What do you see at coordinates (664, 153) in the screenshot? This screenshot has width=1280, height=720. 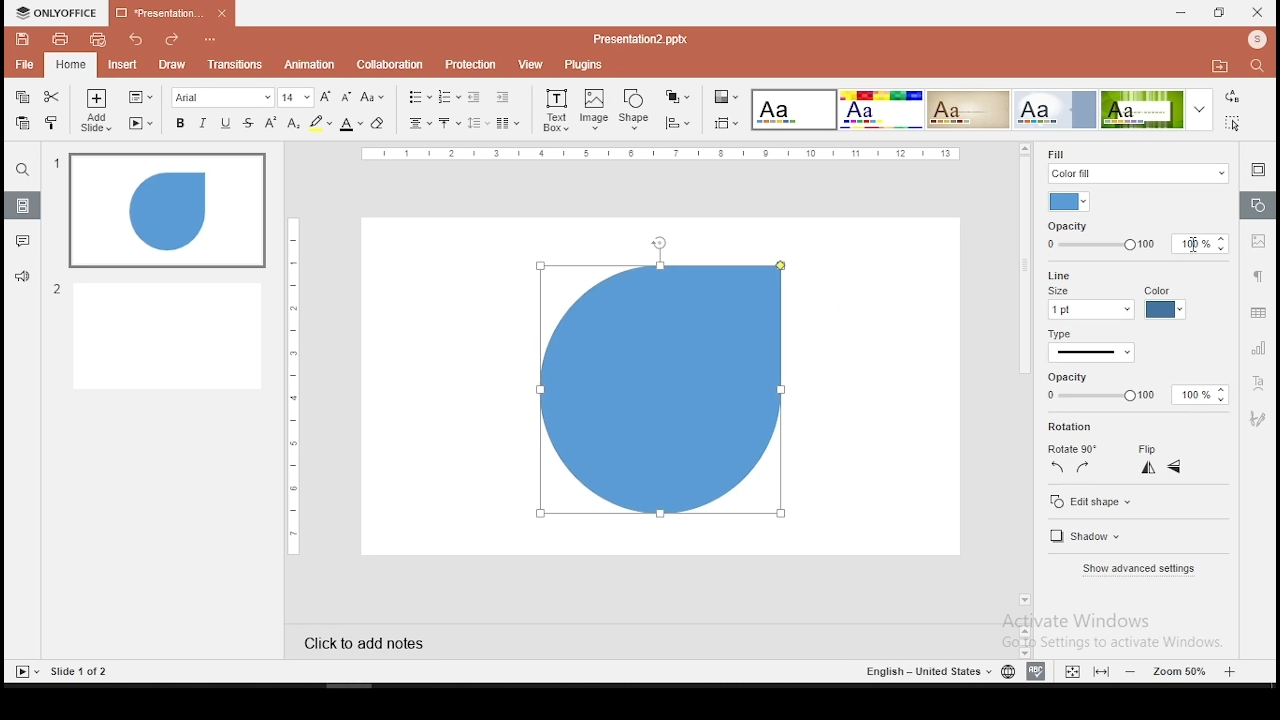 I see `horizontal scale` at bounding box center [664, 153].